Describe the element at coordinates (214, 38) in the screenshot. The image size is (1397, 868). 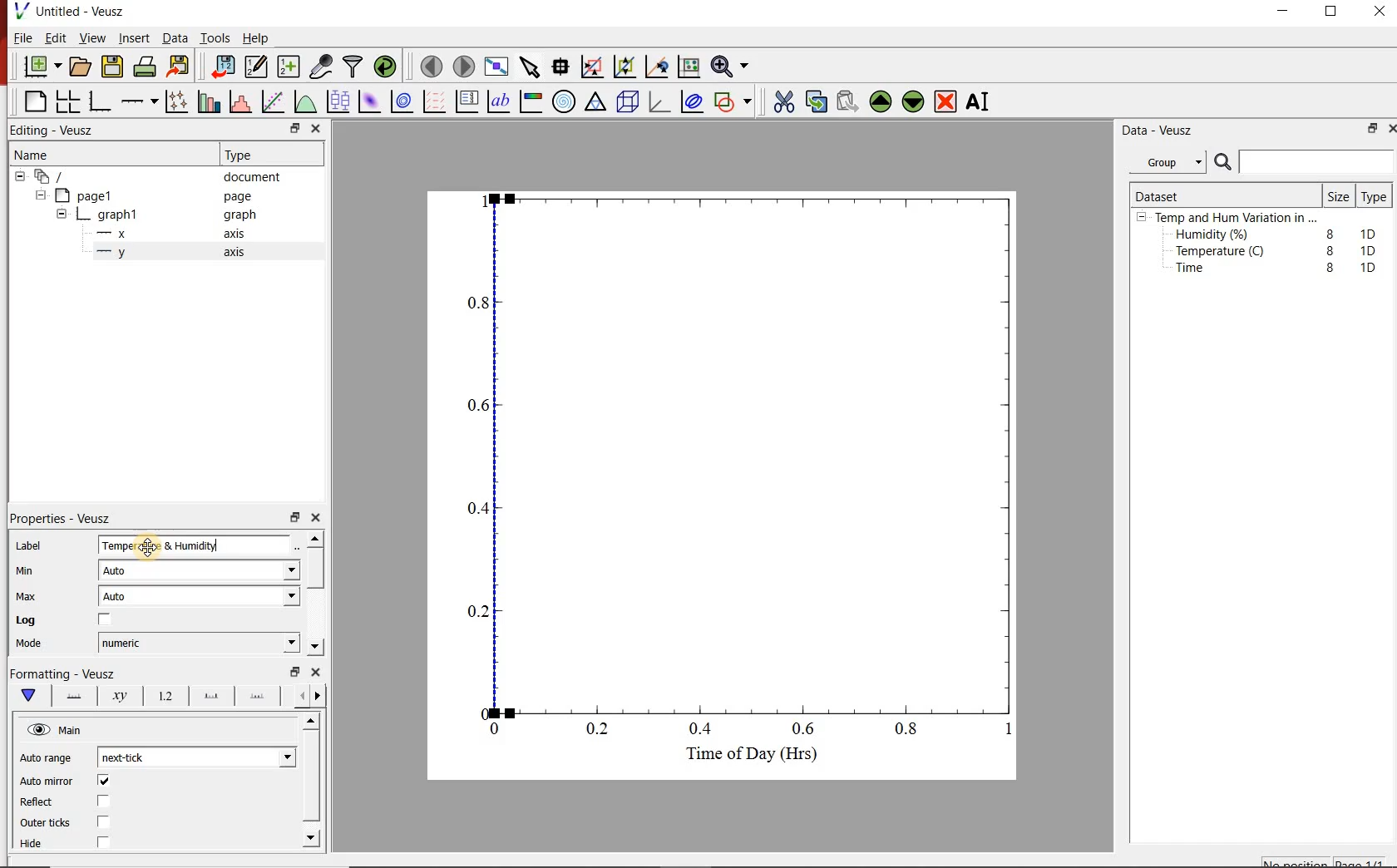
I see `Tools` at that location.